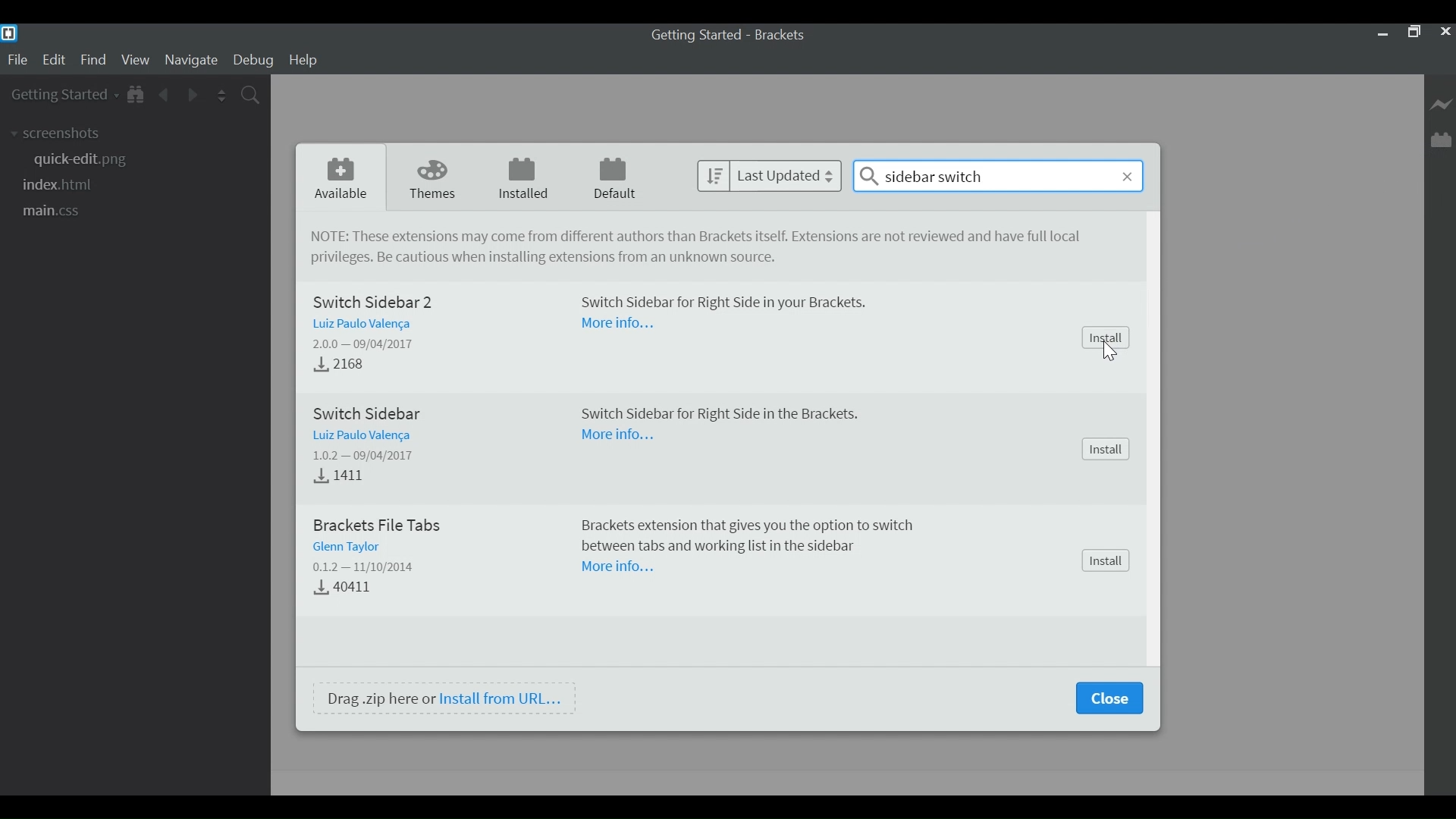  I want to click on More Information, so click(618, 323).